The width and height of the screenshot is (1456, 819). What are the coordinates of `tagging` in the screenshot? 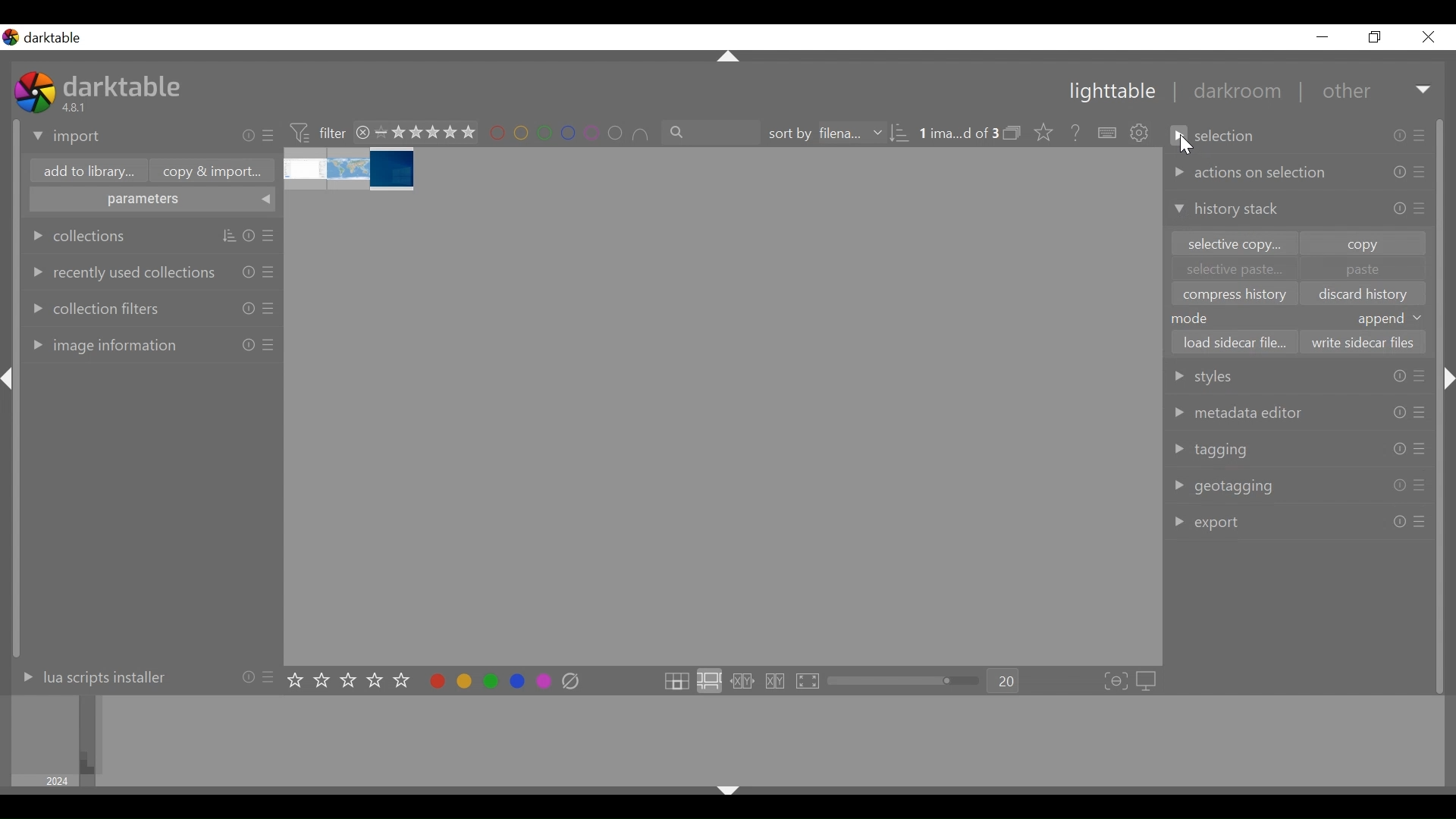 It's located at (1211, 452).